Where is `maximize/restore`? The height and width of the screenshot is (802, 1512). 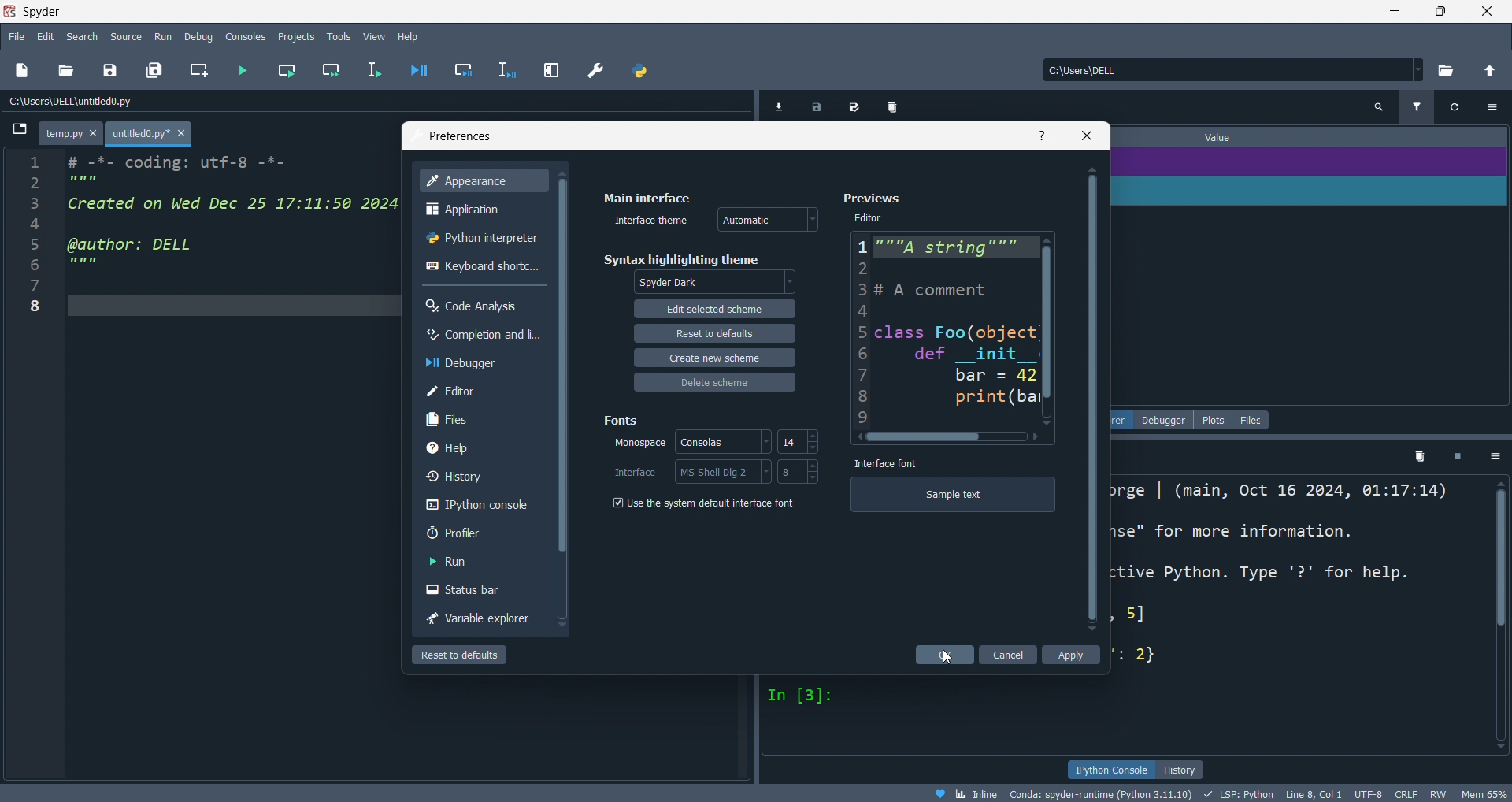 maximize/restore is located at coordinates (1439, 13).